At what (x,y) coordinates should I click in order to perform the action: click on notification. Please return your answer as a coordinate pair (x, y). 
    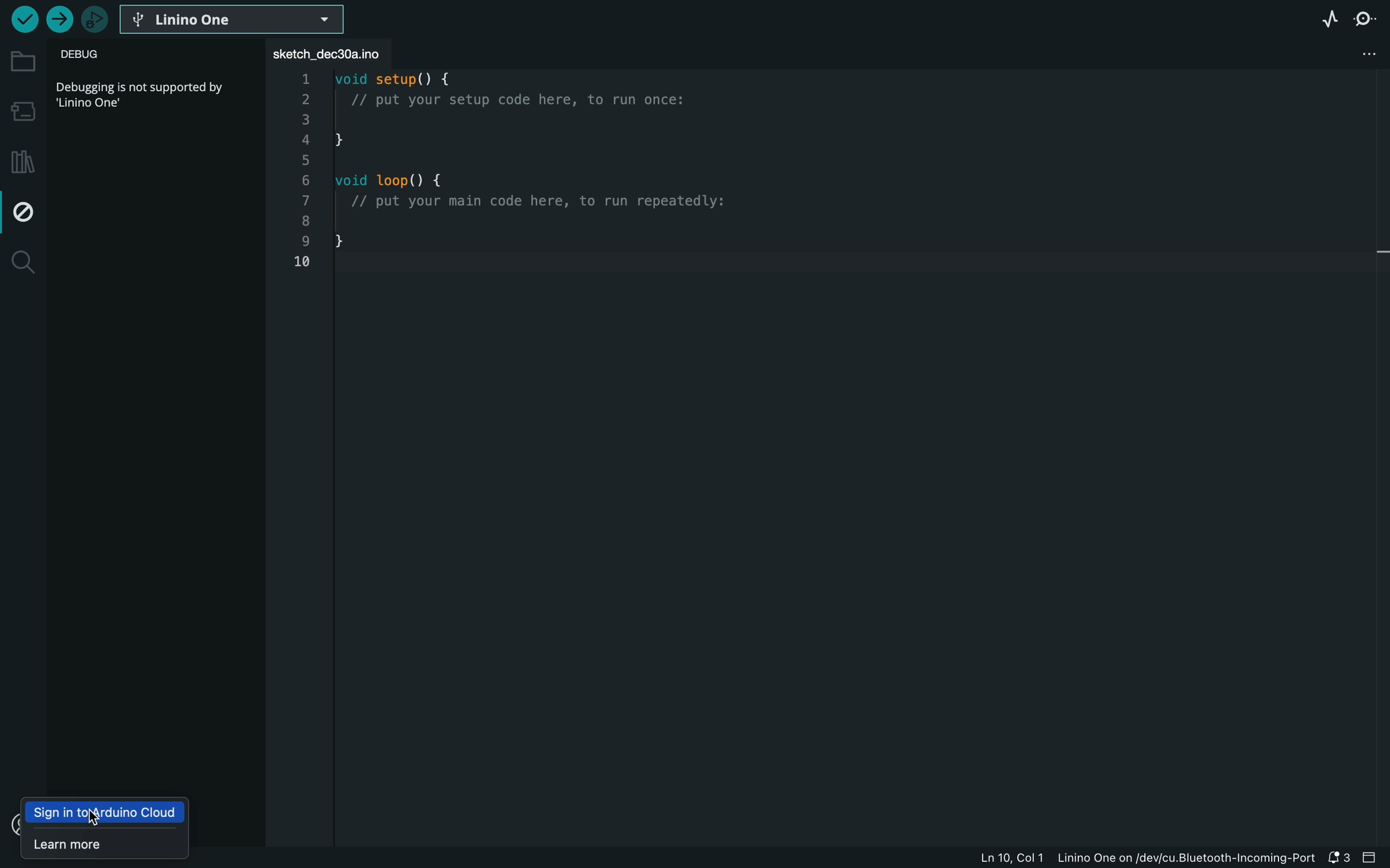
    Looking at the image, I should click on (1341, 858).